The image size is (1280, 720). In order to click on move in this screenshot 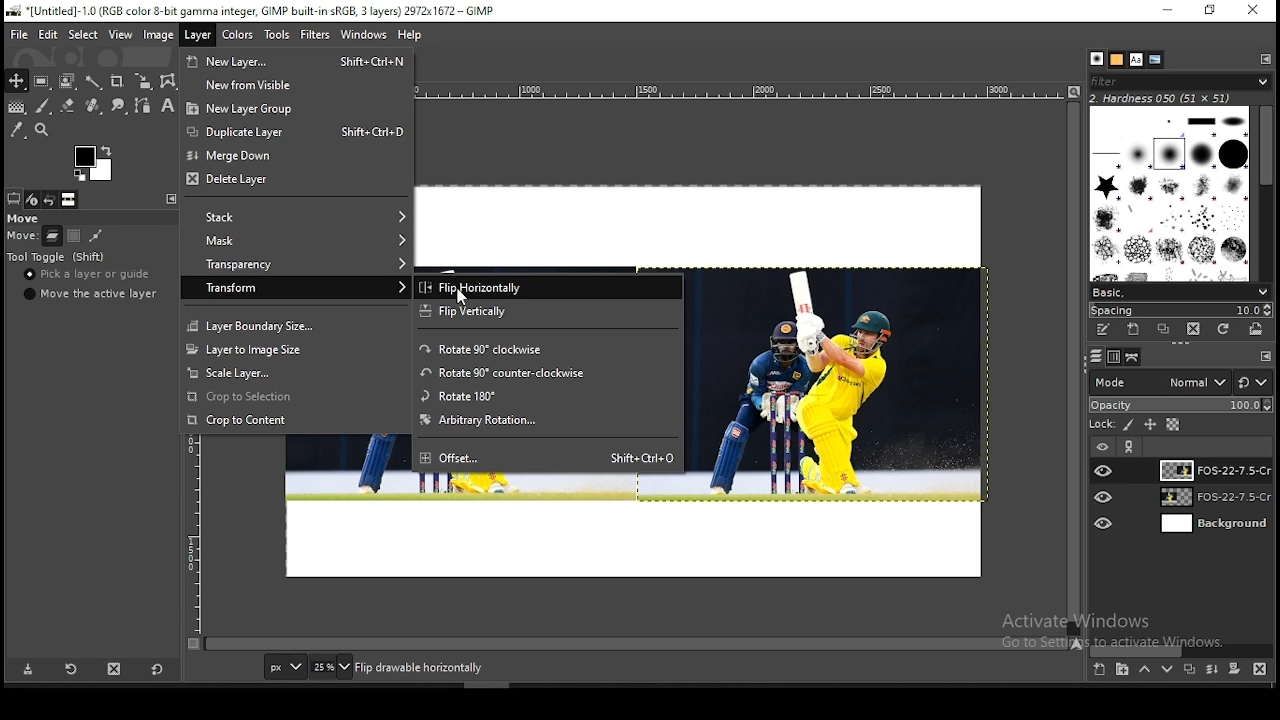, I will do `click(22, 238)`.